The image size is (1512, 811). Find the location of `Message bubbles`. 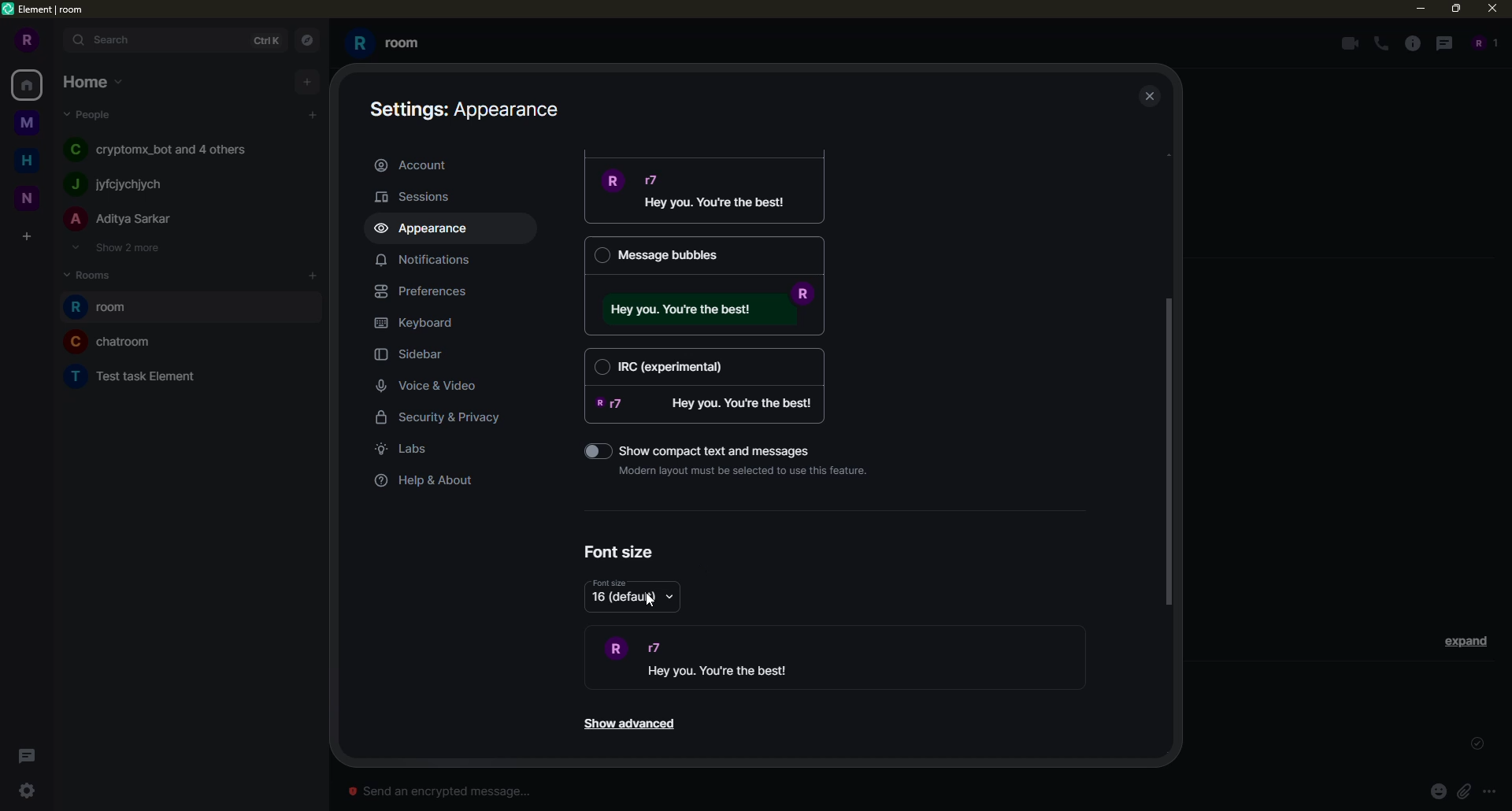

Message bubbles is located at coordinates (703, 255).